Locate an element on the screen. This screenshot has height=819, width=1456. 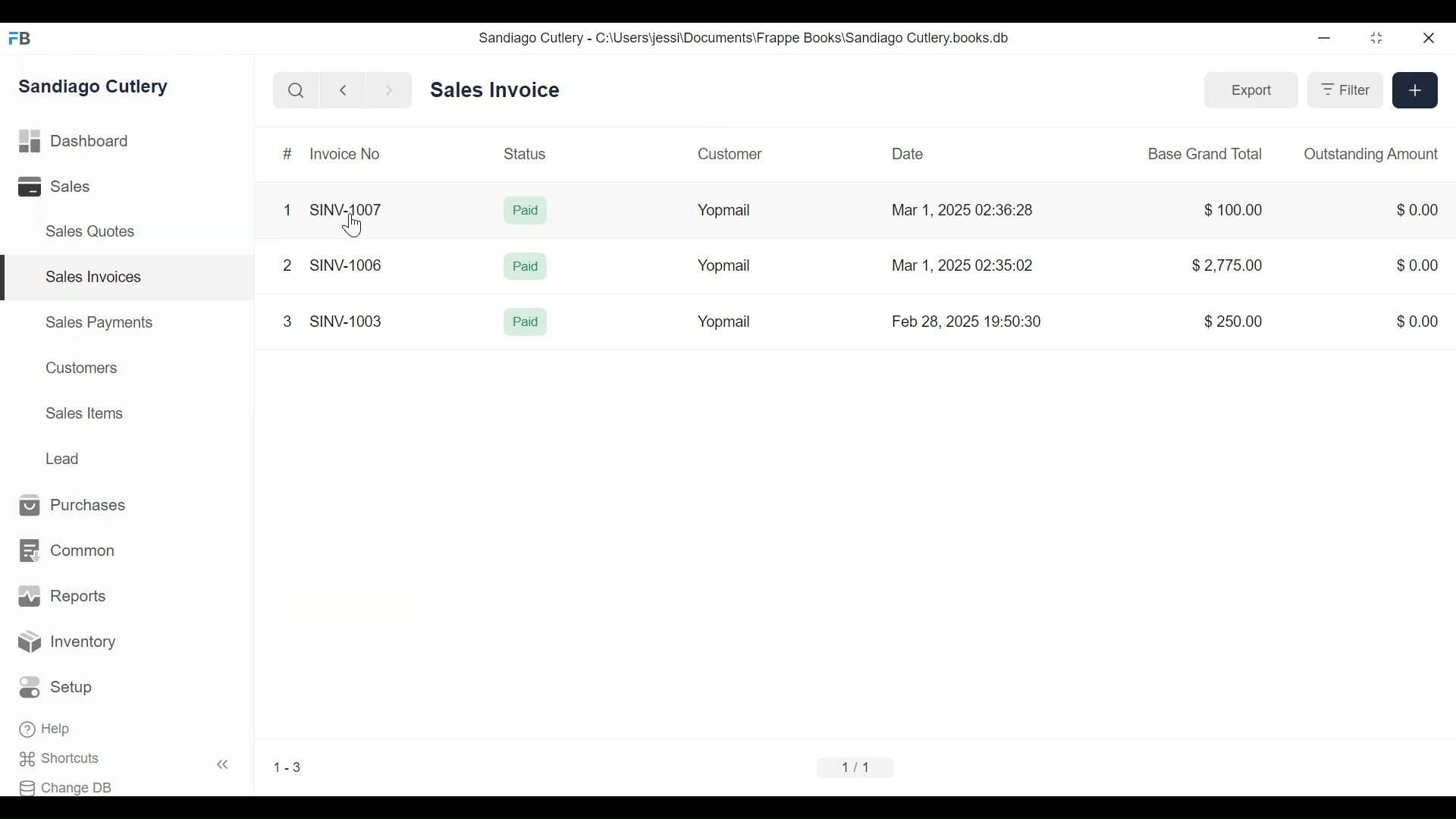
Sandiago Cutlery - C:\Users\jessi\Documents\Frappe Books\Sandiago Cutlery.books.db is located at coordinates (745, 39).